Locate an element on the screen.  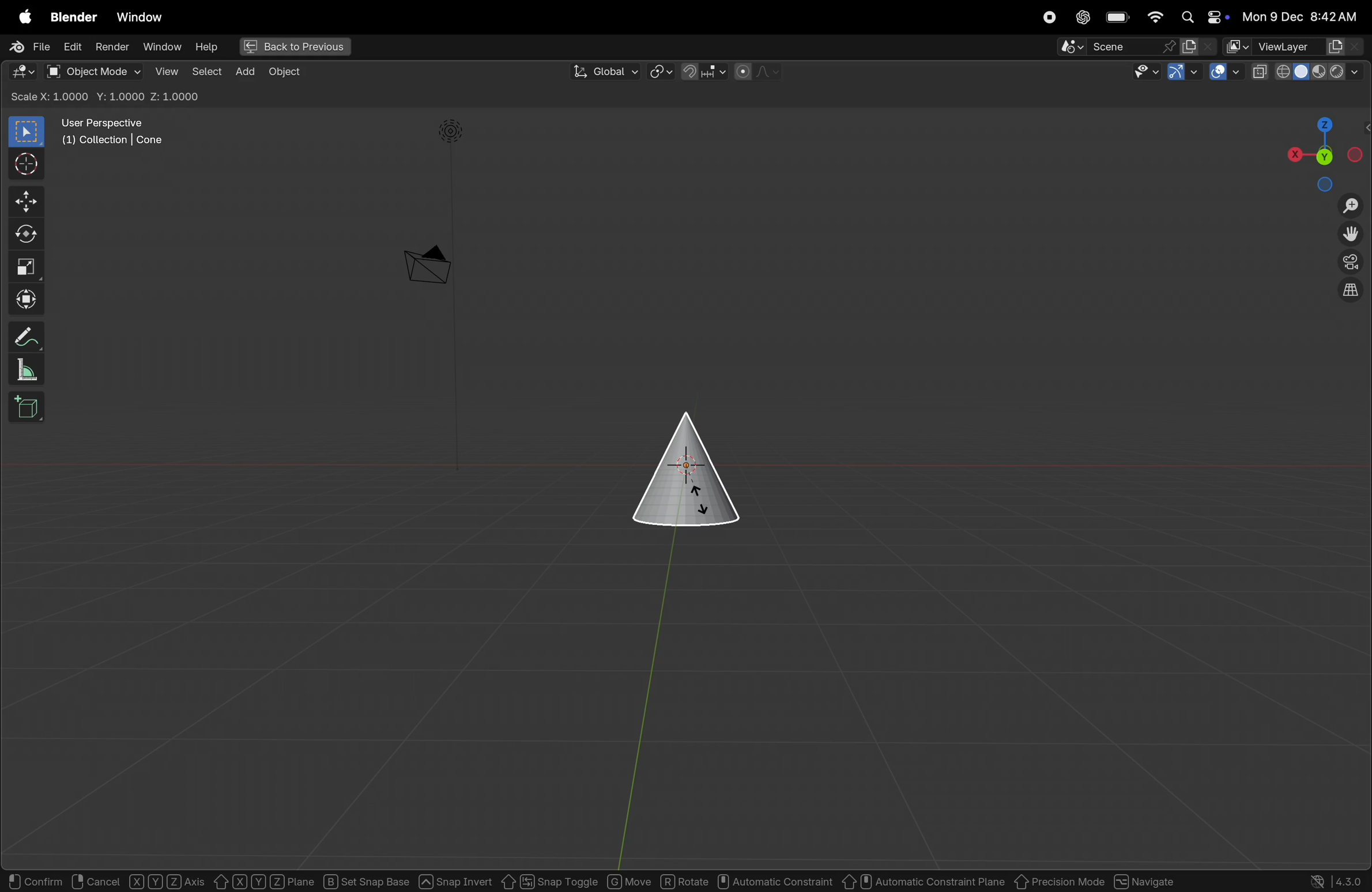
mode is located at coordinates (107, 97).